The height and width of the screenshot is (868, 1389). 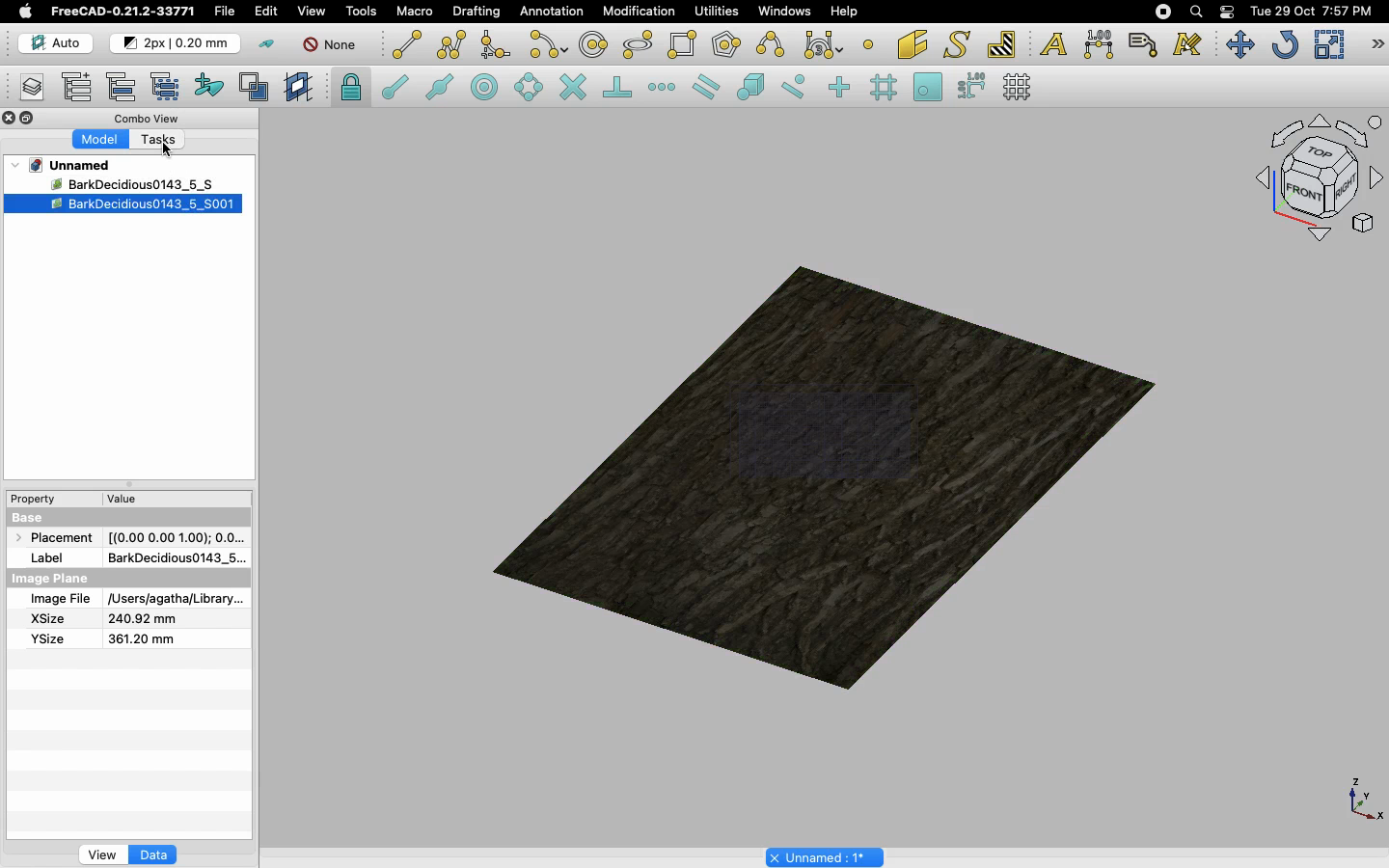 I want to click on Tasks, so click(x=164, y=141).